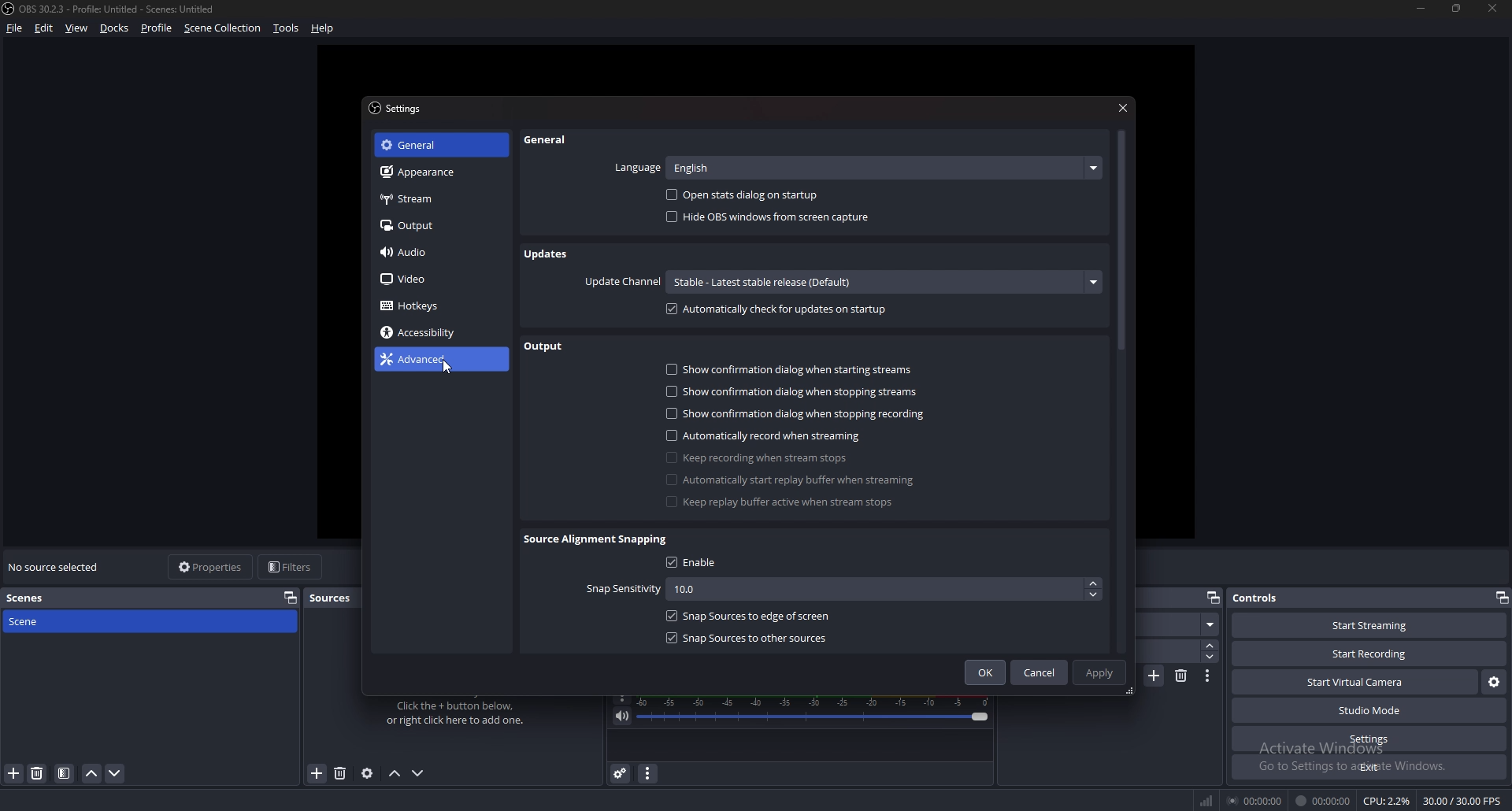  What do you see at coordinates (224, 28) in the screenshot?
I see `scene collection` at bounding box center [224, 28].